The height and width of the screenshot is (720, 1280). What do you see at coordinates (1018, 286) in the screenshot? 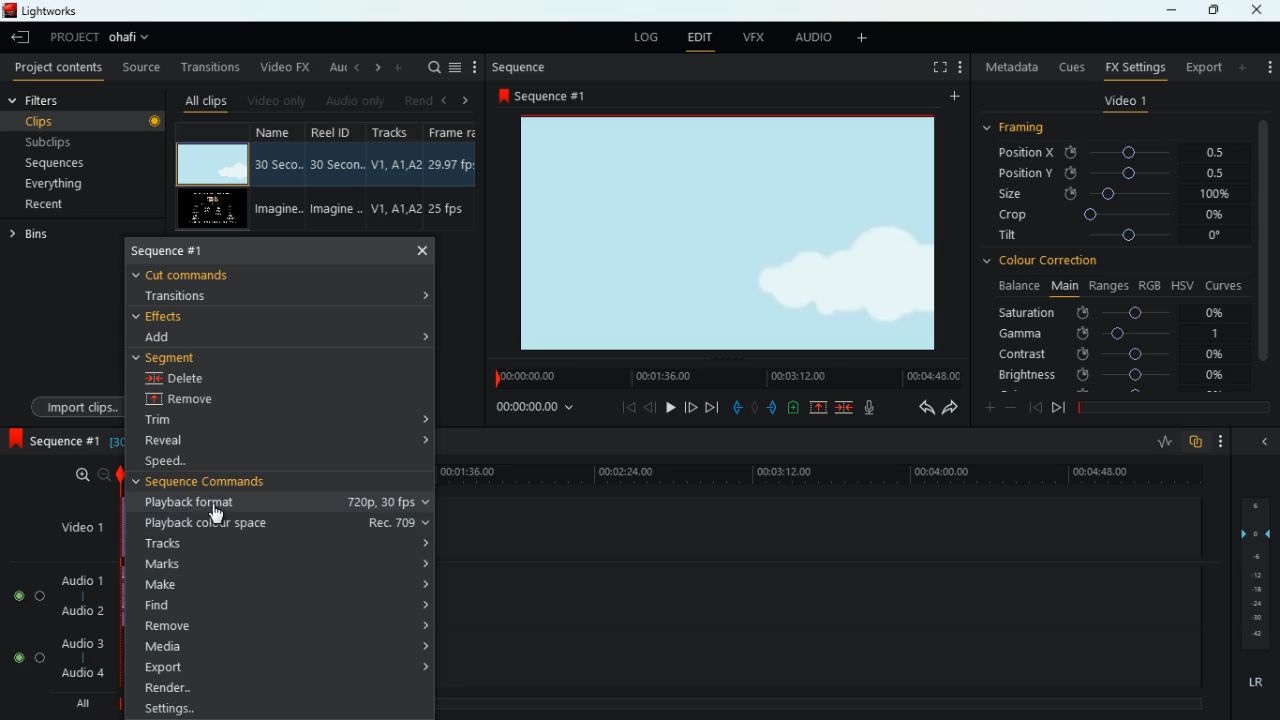
I see `balance` at bounding box center [1018, 286].